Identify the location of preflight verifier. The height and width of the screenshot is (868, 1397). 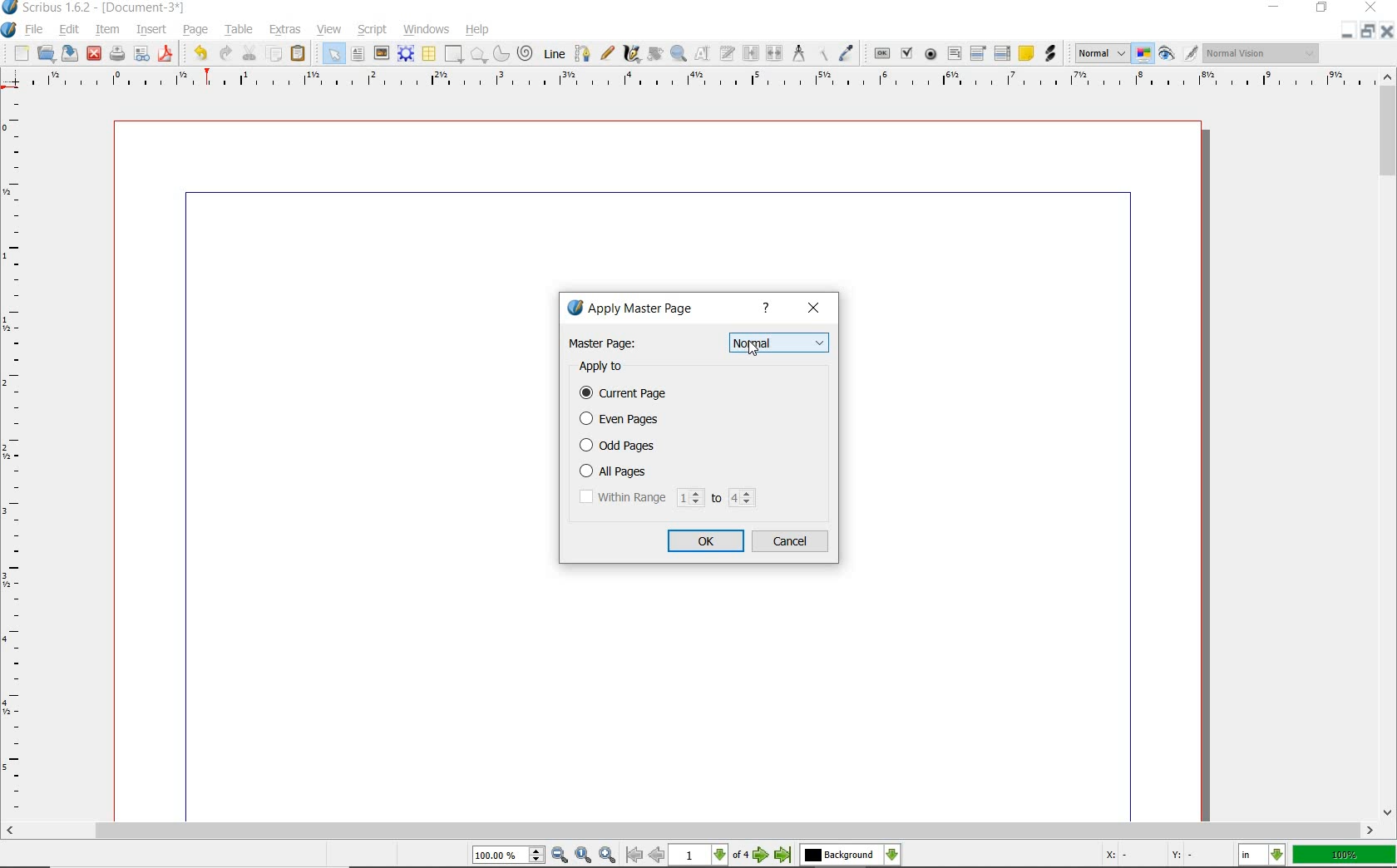
(142, 54).